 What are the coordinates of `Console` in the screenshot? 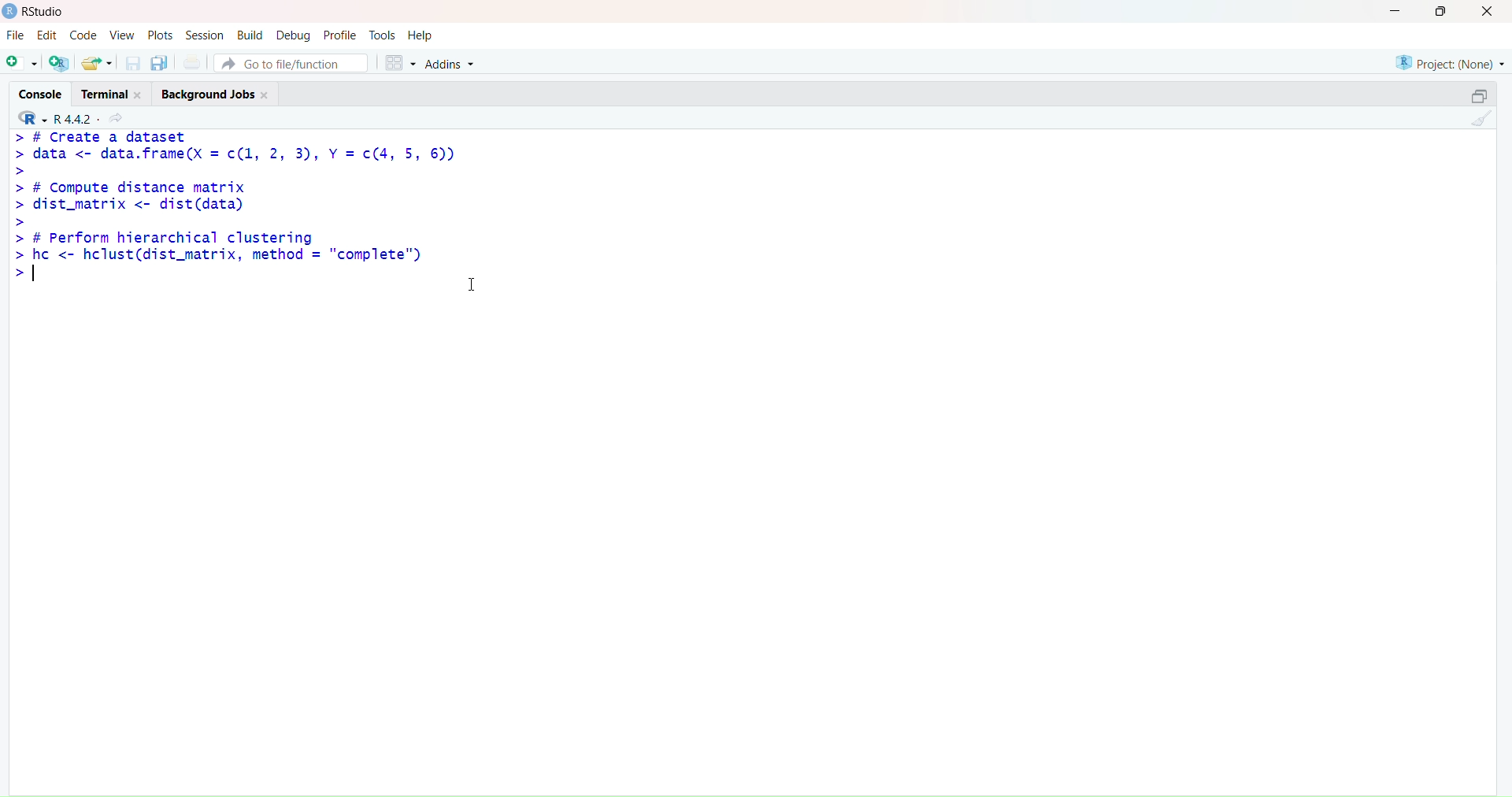 It's located at (35, 95).